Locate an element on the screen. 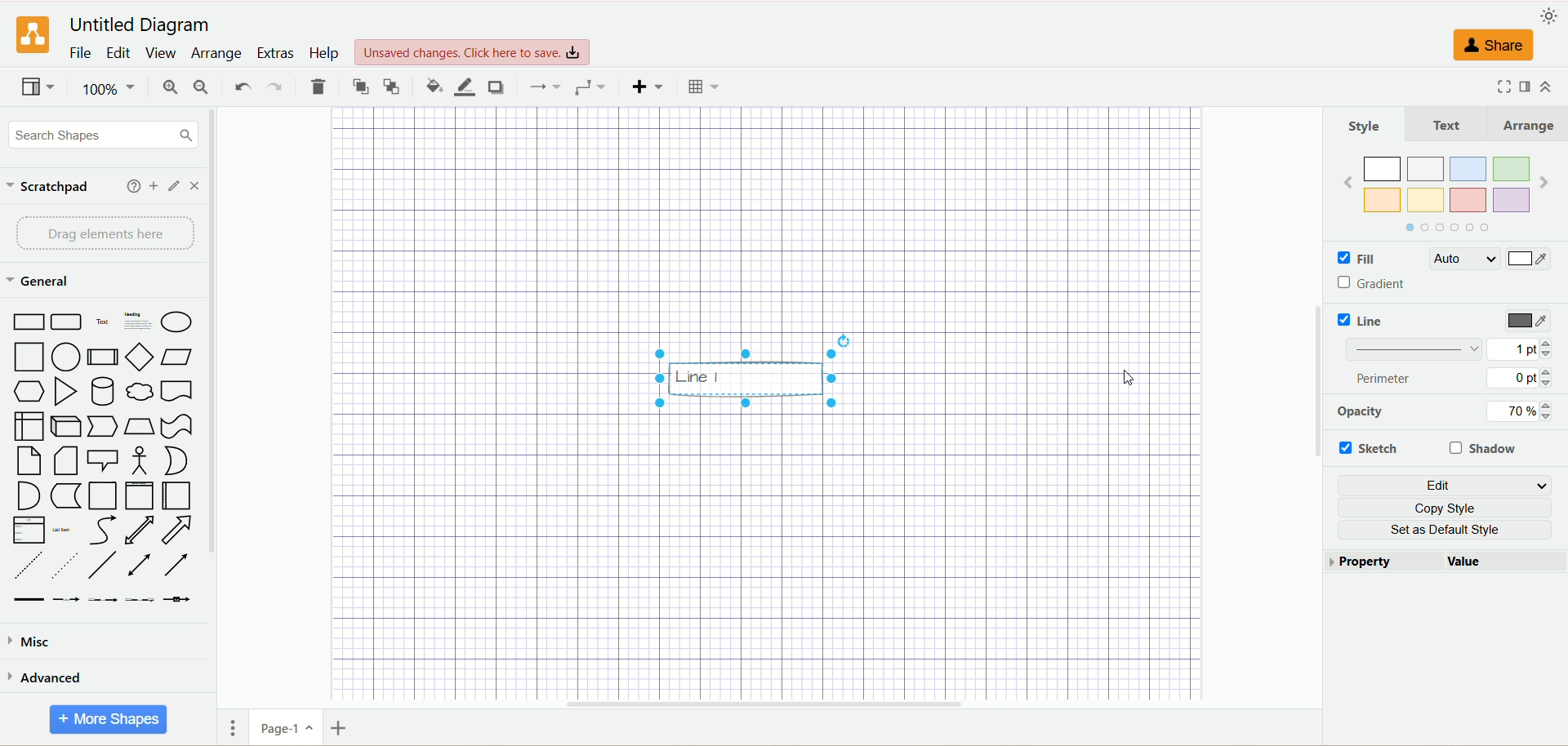 The height and width of the screenshot is (746, 1568). color is located at coordinates (1530, 258).